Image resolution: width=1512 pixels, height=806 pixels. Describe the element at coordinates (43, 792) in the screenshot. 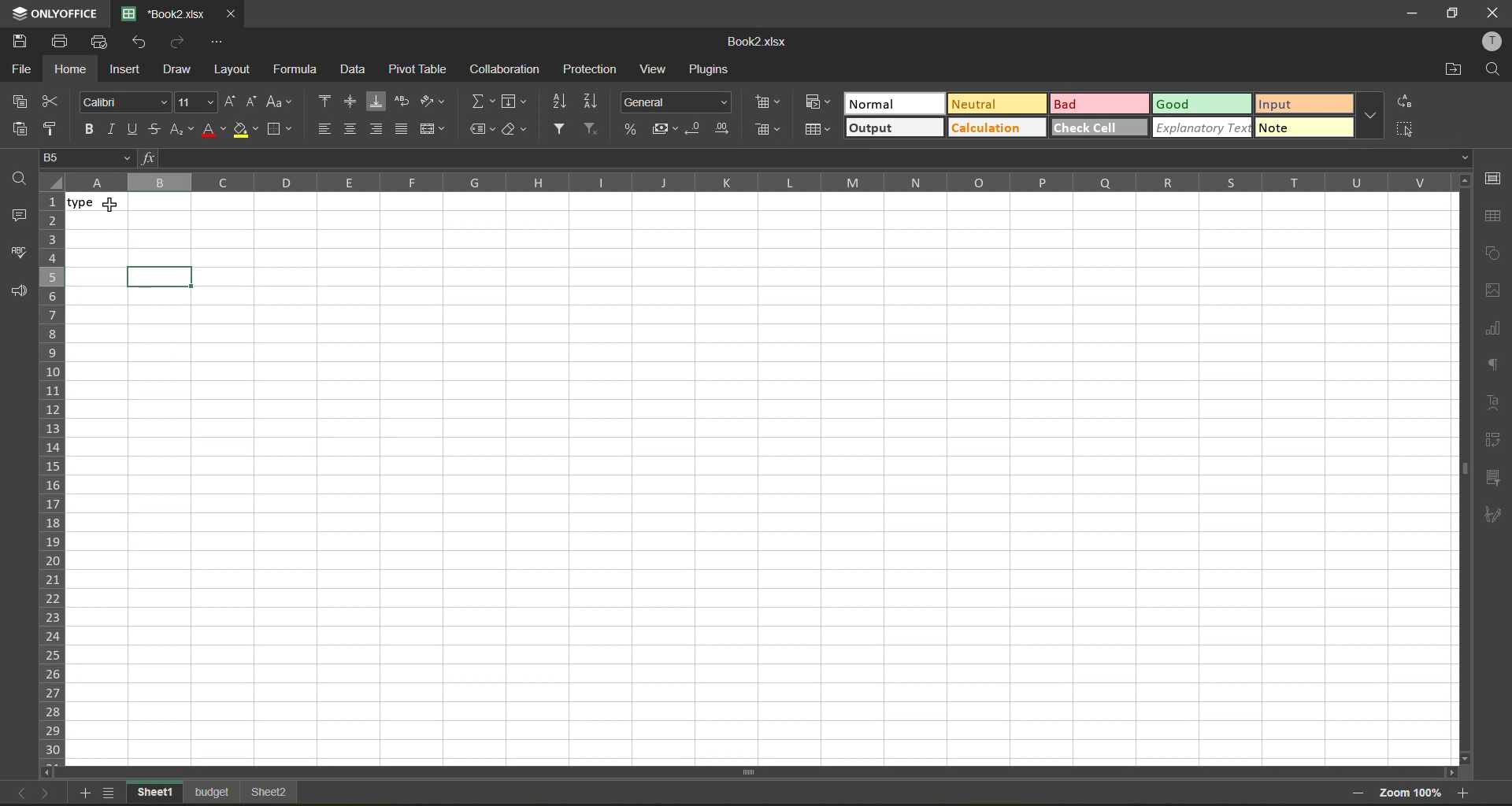

I see `next` at that location.